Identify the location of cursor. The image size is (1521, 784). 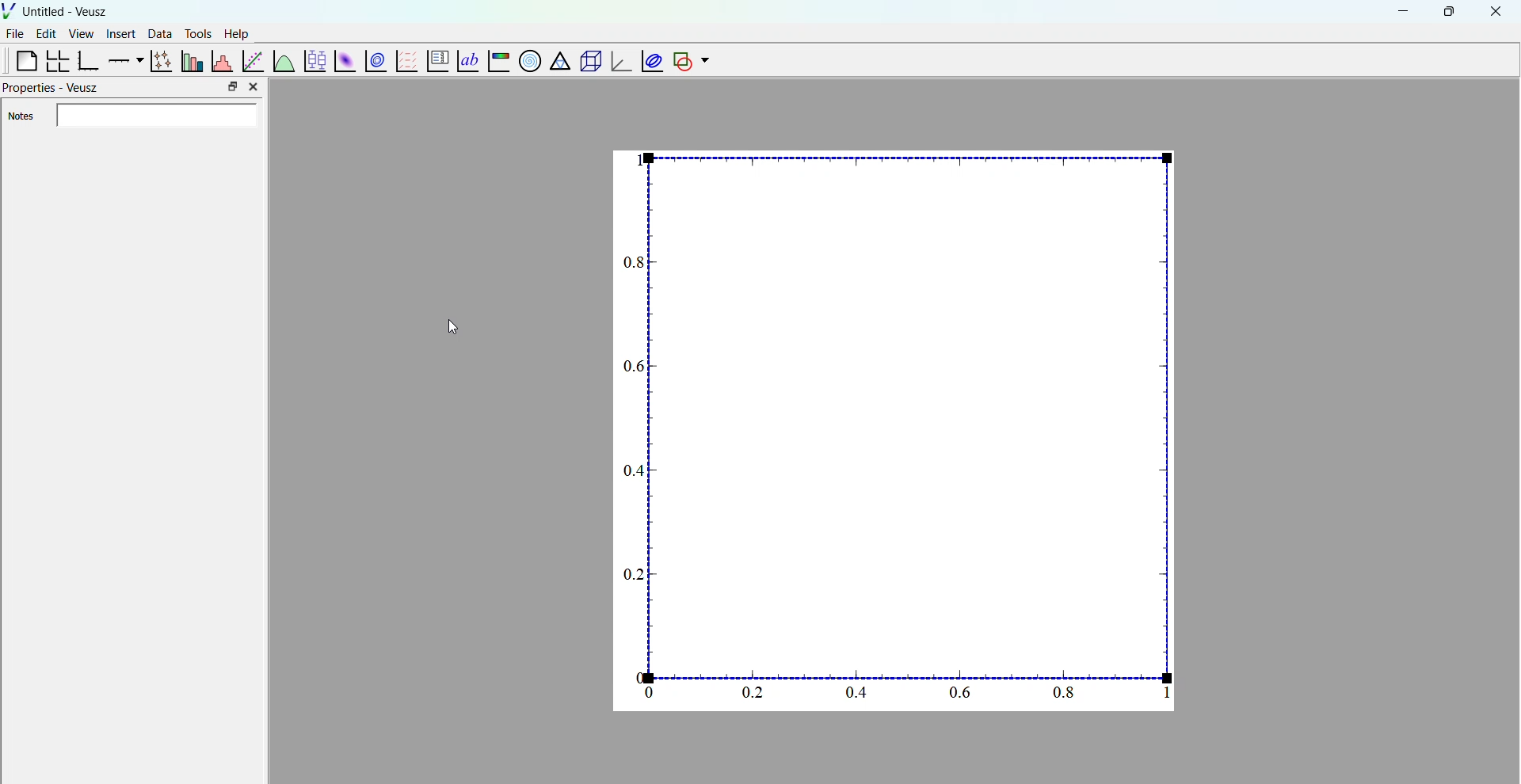
(448, 327).